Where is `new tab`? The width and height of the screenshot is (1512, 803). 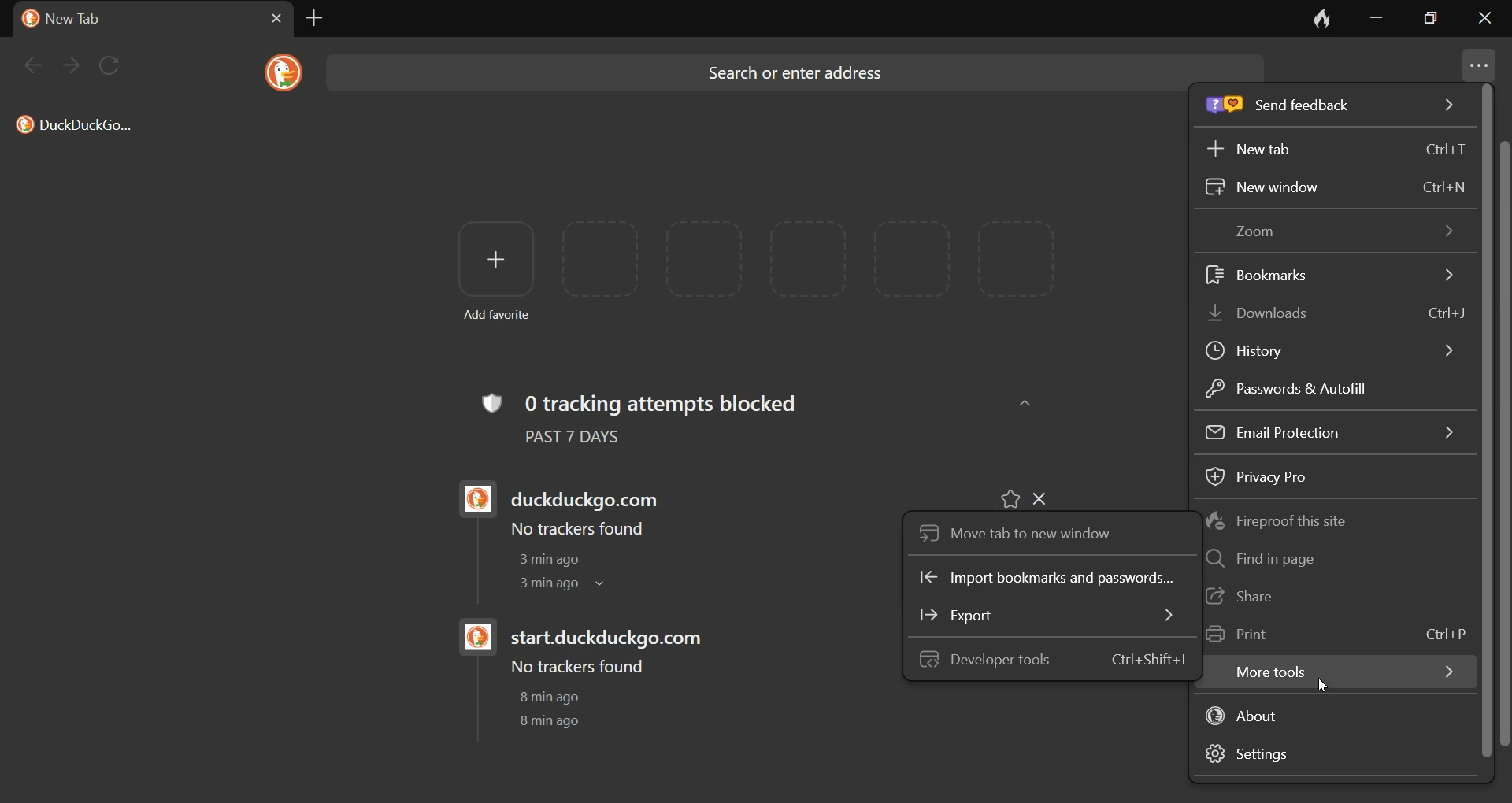
new tab is located at coordinates (311, 20).